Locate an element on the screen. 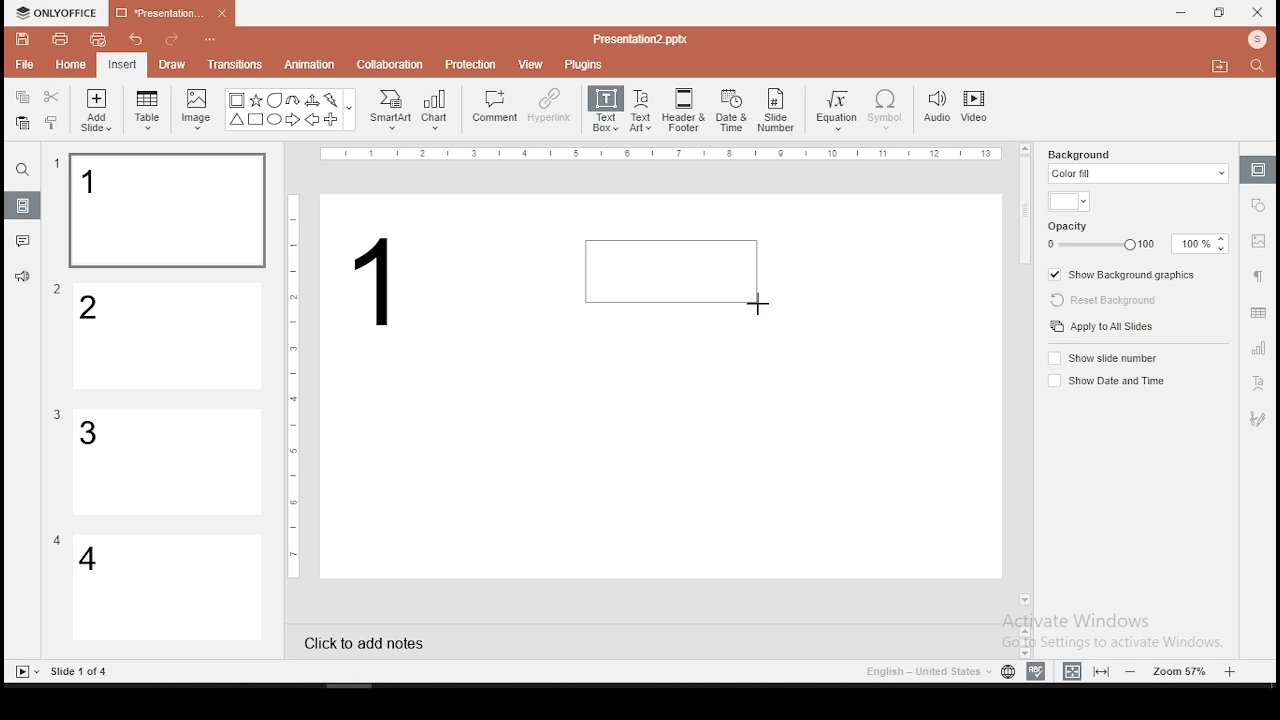 The height and width of the screenshot is (720, 1280). draw is located at coordinates (173, 64).